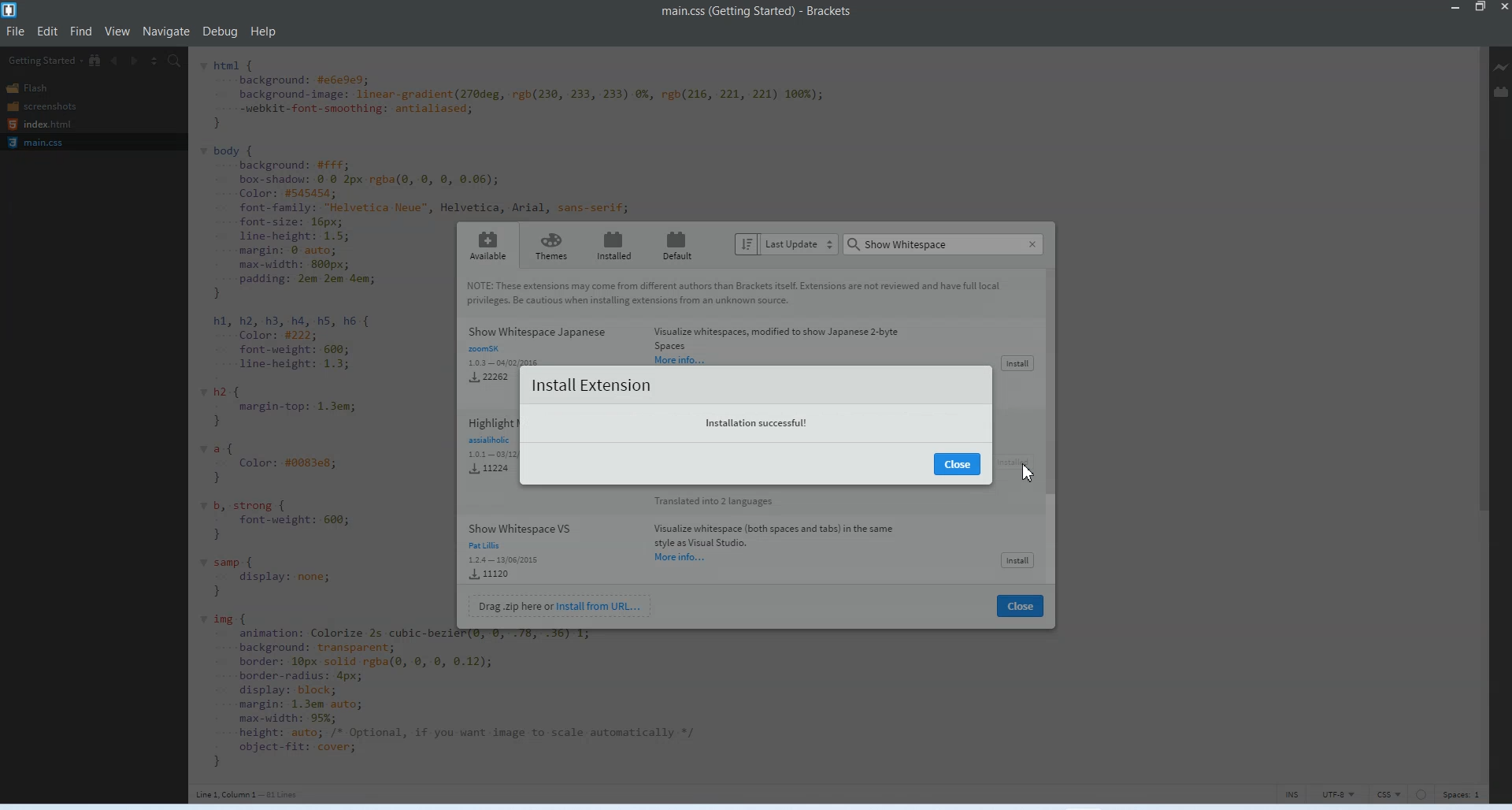 The image size is (1512, 810). What do you see at coordinates (154, 59) in the screenshot?
I see `Split editor vertically and Horizontally` at bounding box center [154, 59].